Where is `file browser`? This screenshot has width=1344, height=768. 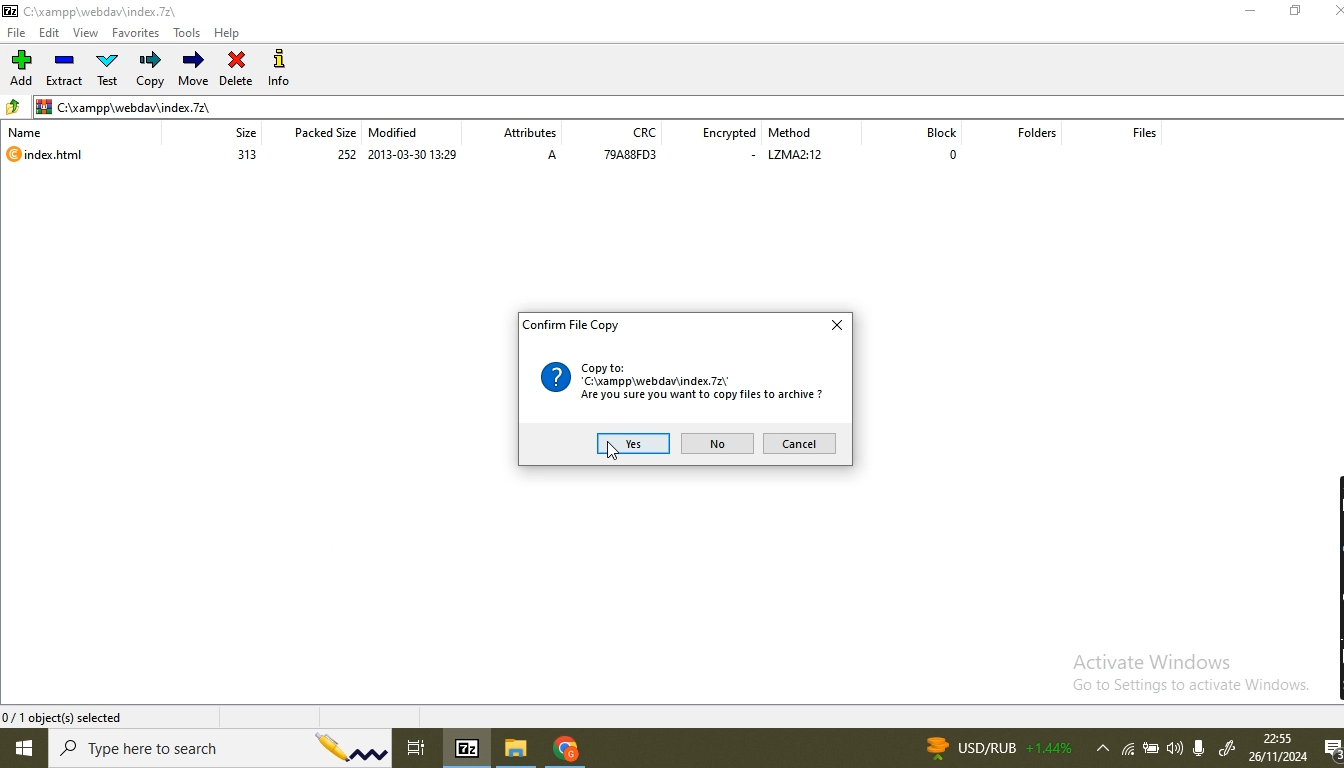
file browser is located at coordinates (519, 749).